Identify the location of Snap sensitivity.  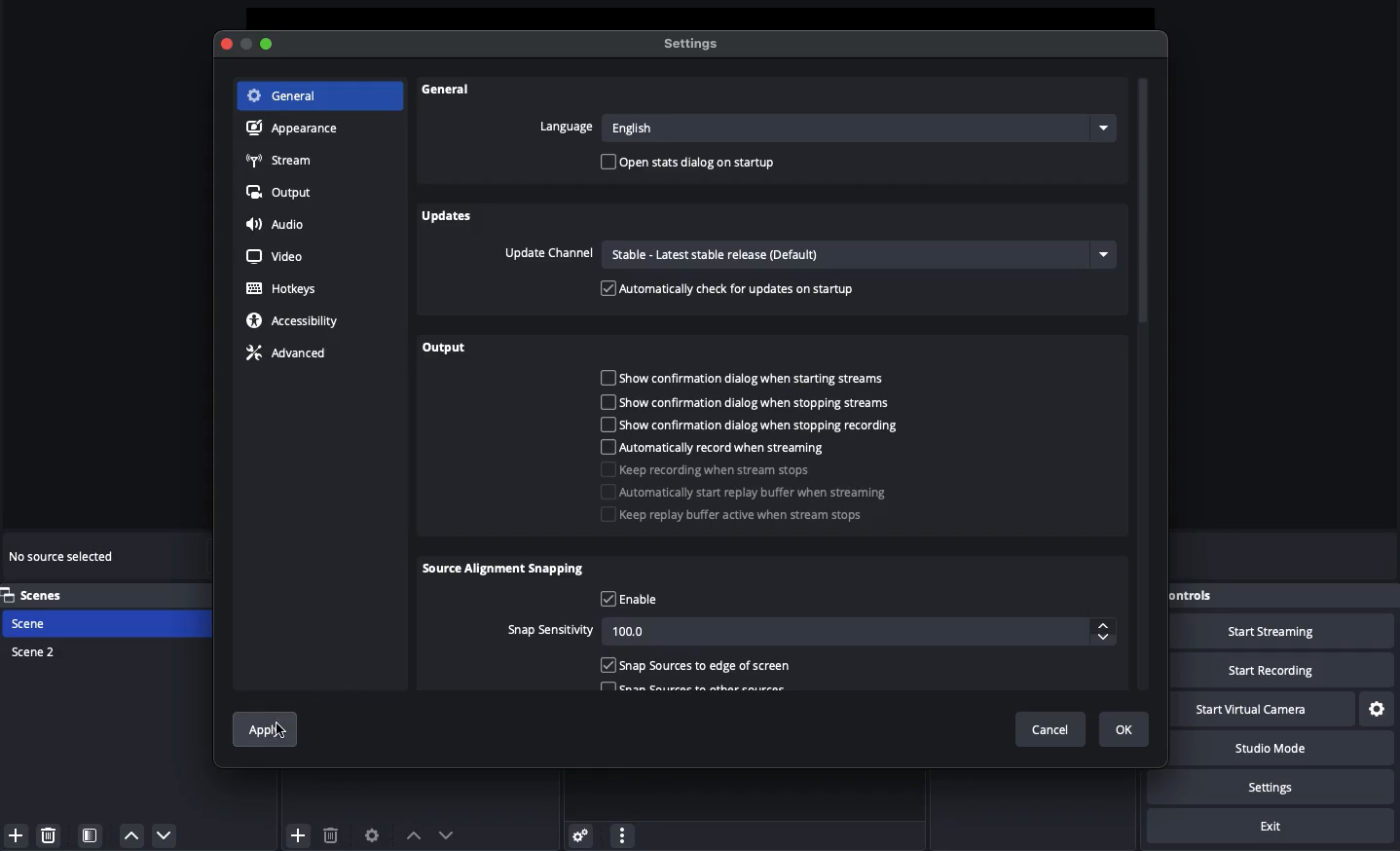
(809, 632).